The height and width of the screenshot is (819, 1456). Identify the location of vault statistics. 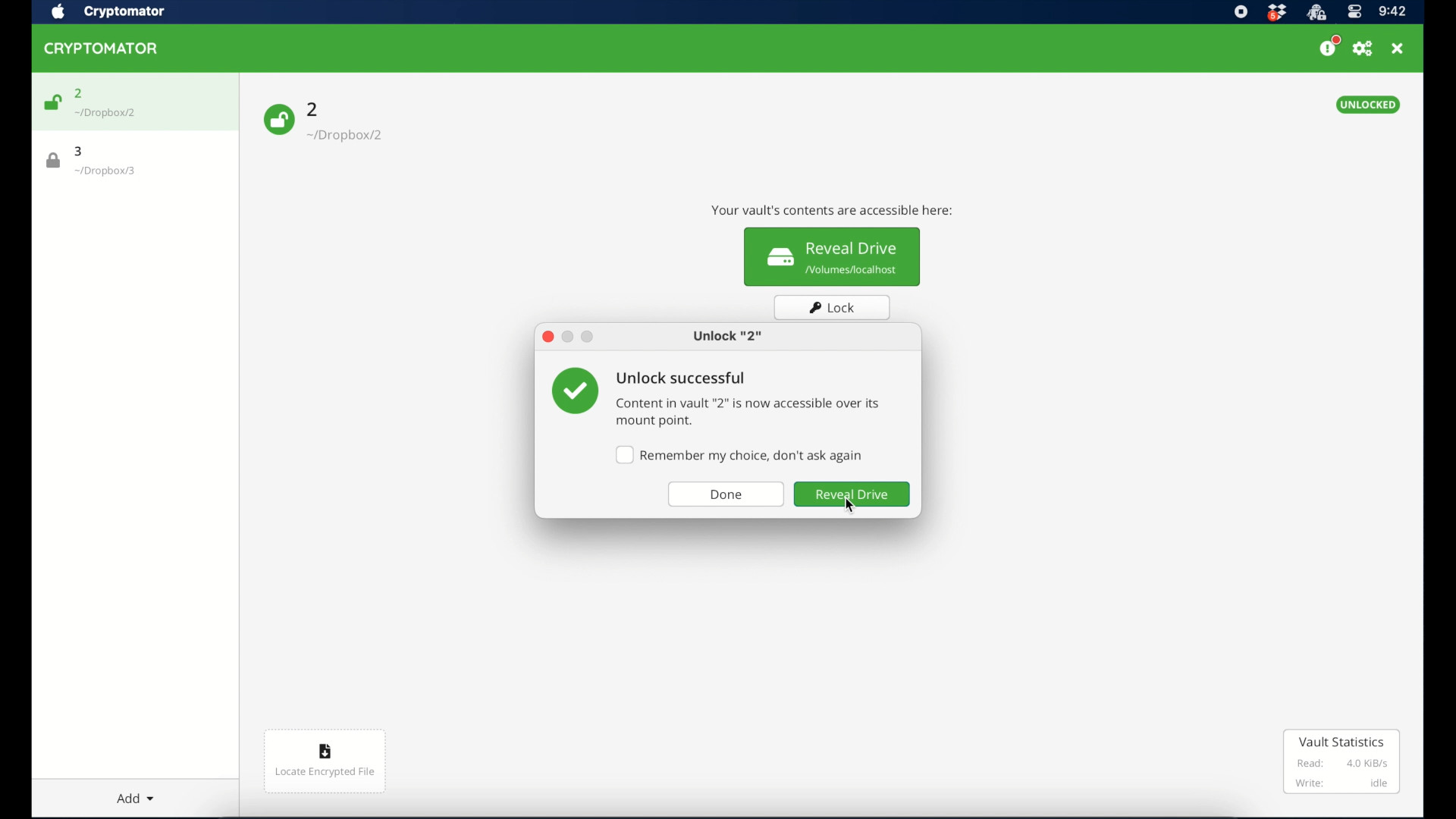
(1342, 763).